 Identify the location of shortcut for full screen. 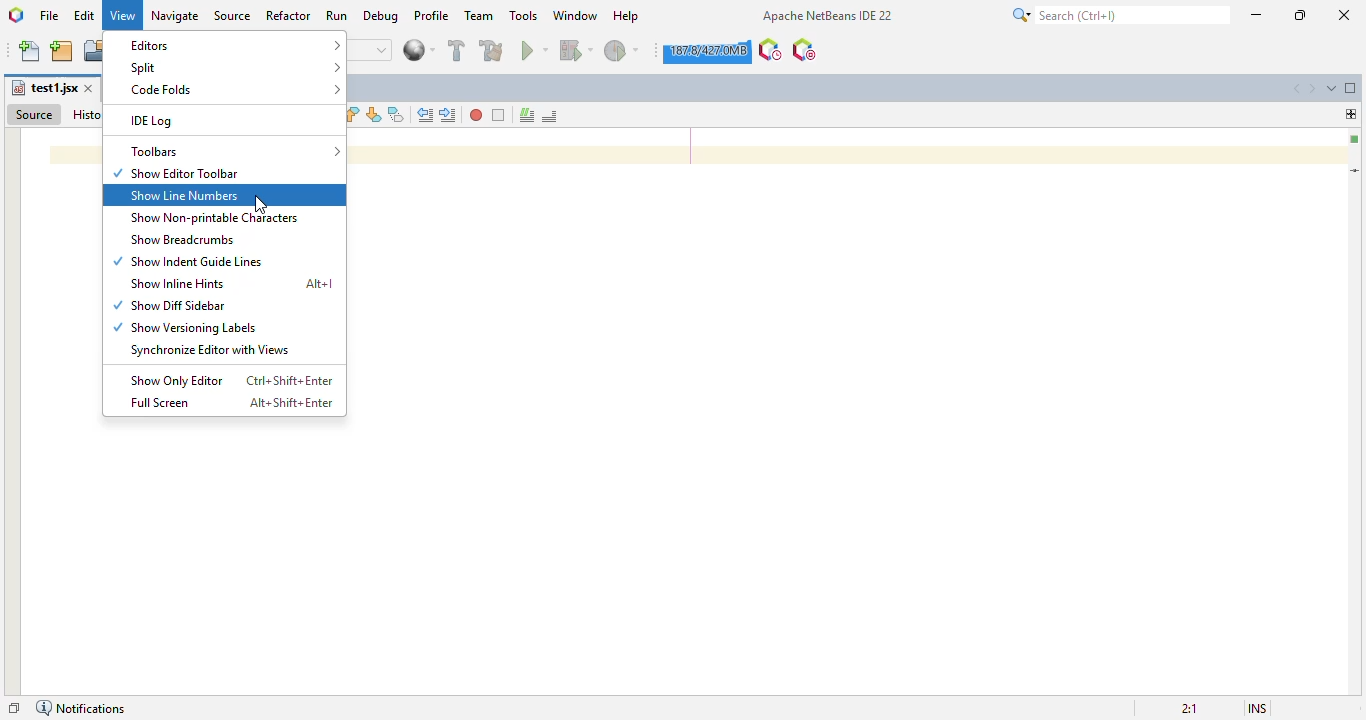
(290, 403).